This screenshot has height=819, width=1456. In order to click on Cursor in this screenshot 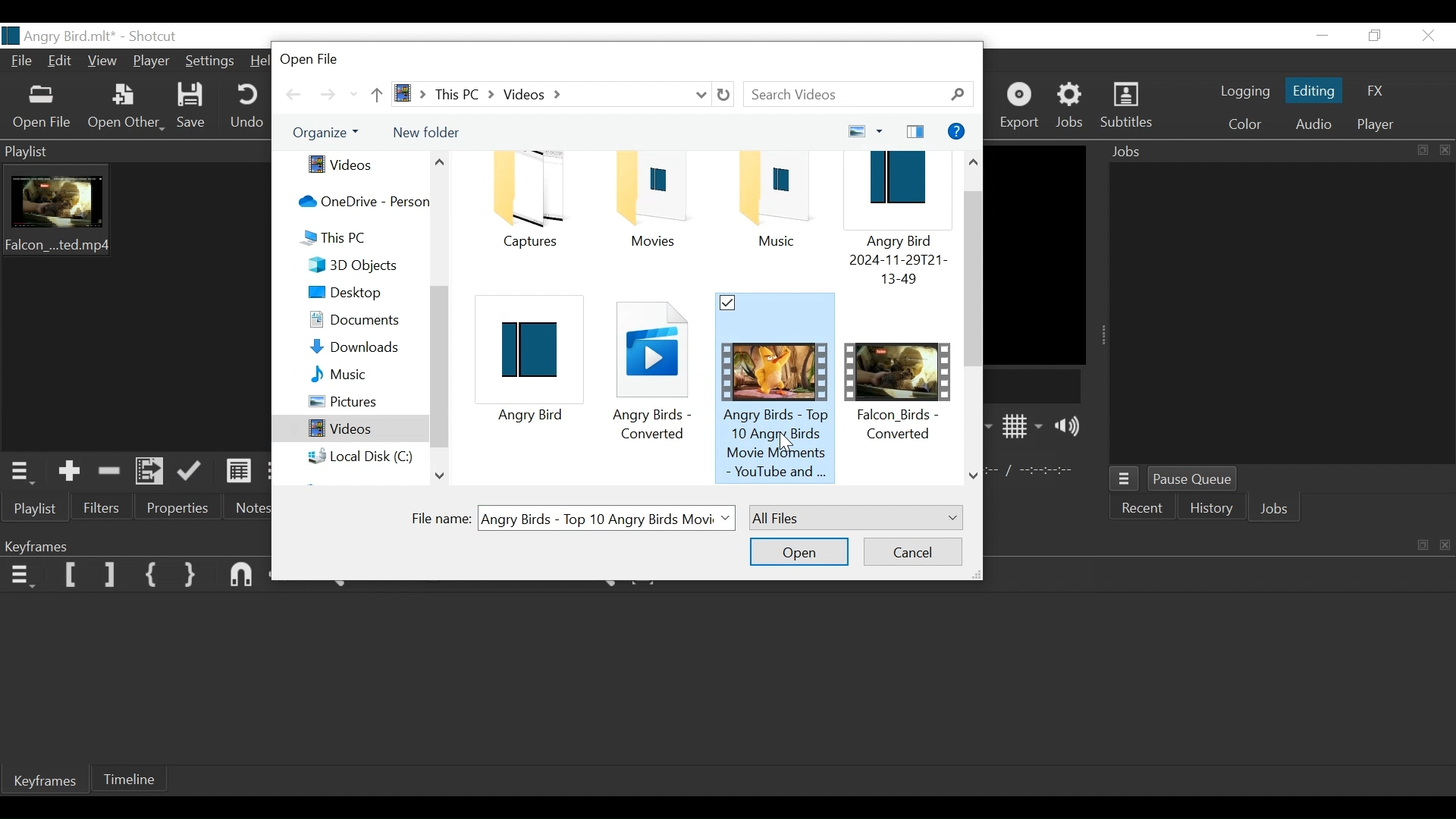, I will do `click(789, 444)`.